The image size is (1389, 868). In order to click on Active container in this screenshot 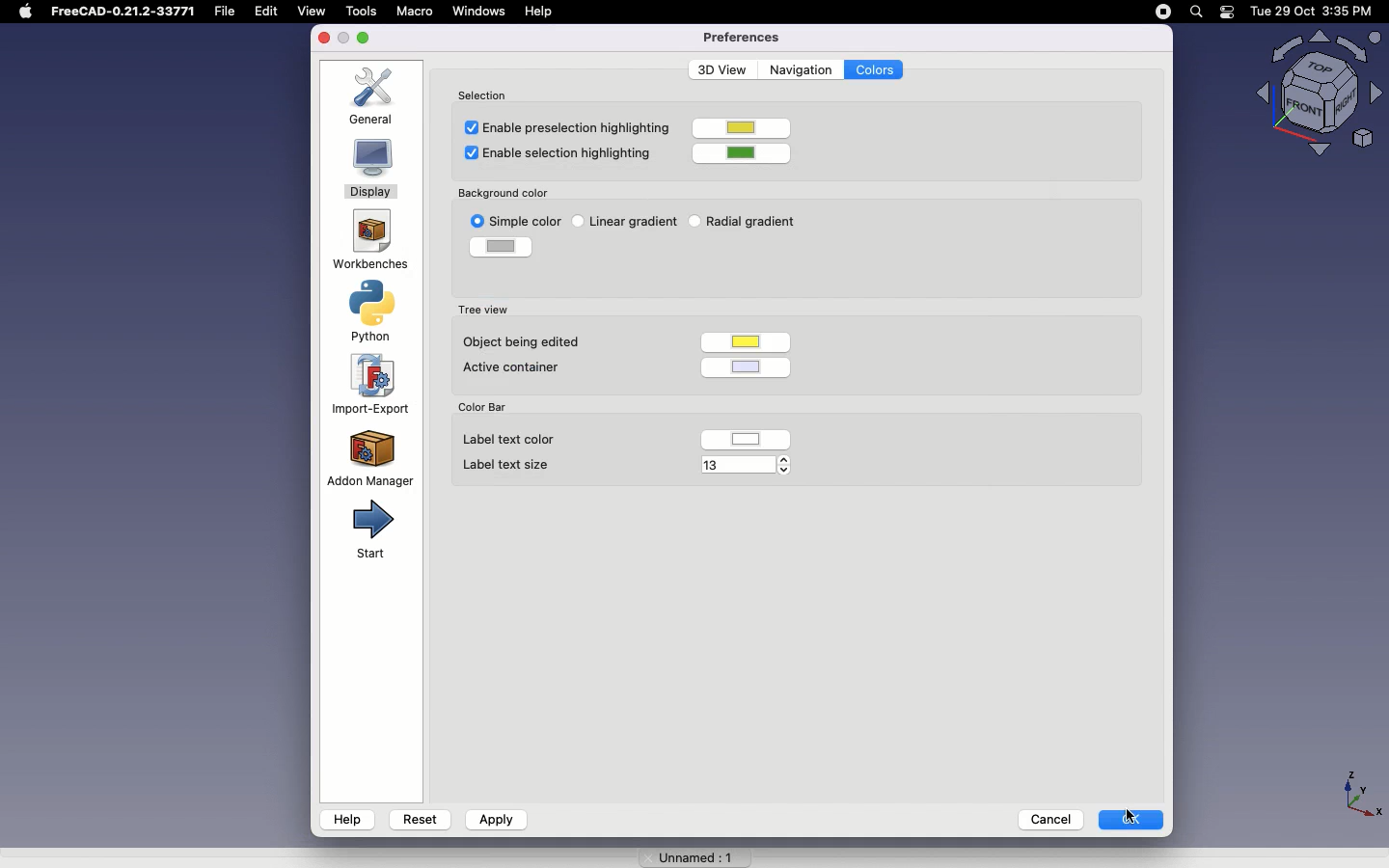, I will do `click(524, 368)`.